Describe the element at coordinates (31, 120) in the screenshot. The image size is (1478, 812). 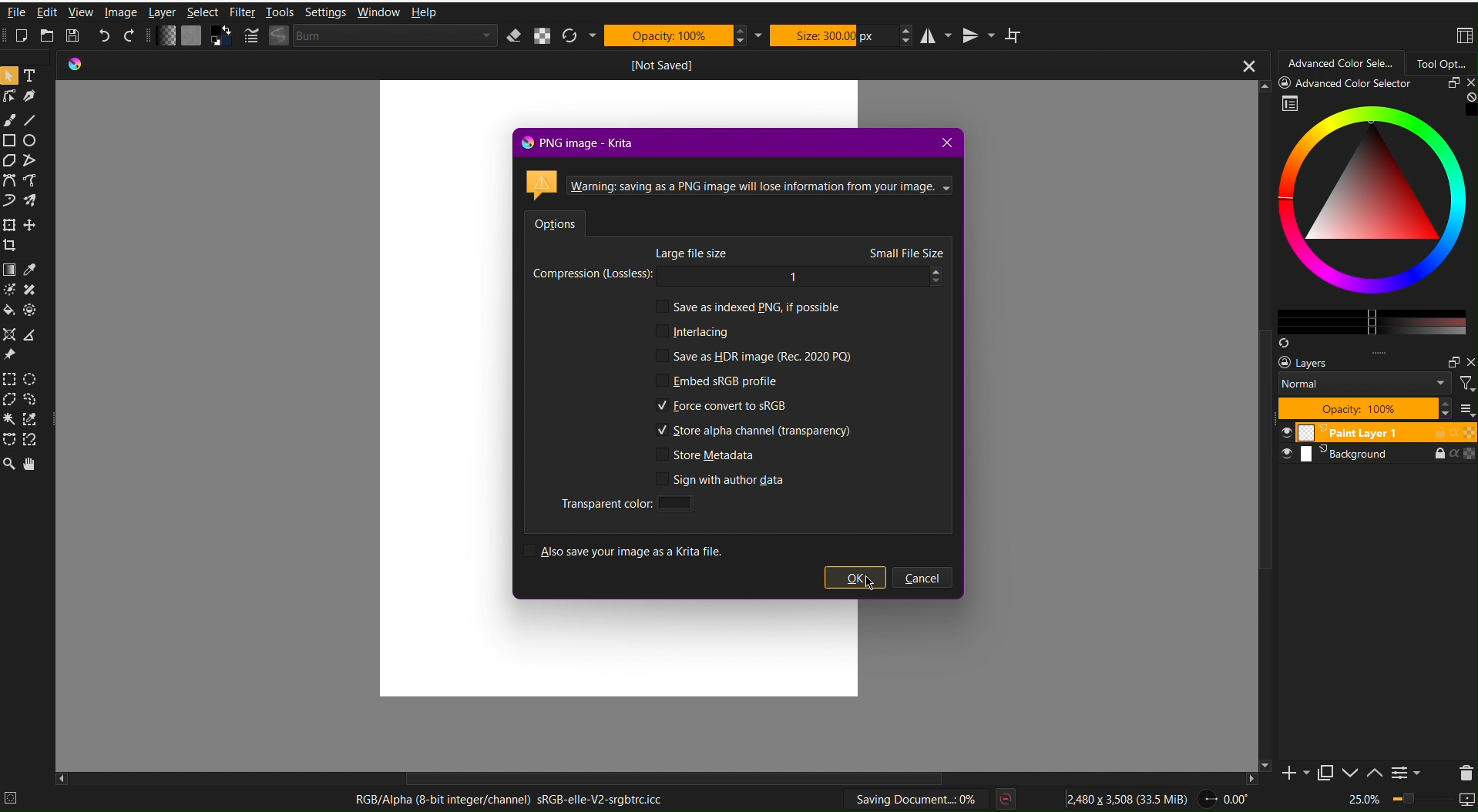
I see `Line` at that location.